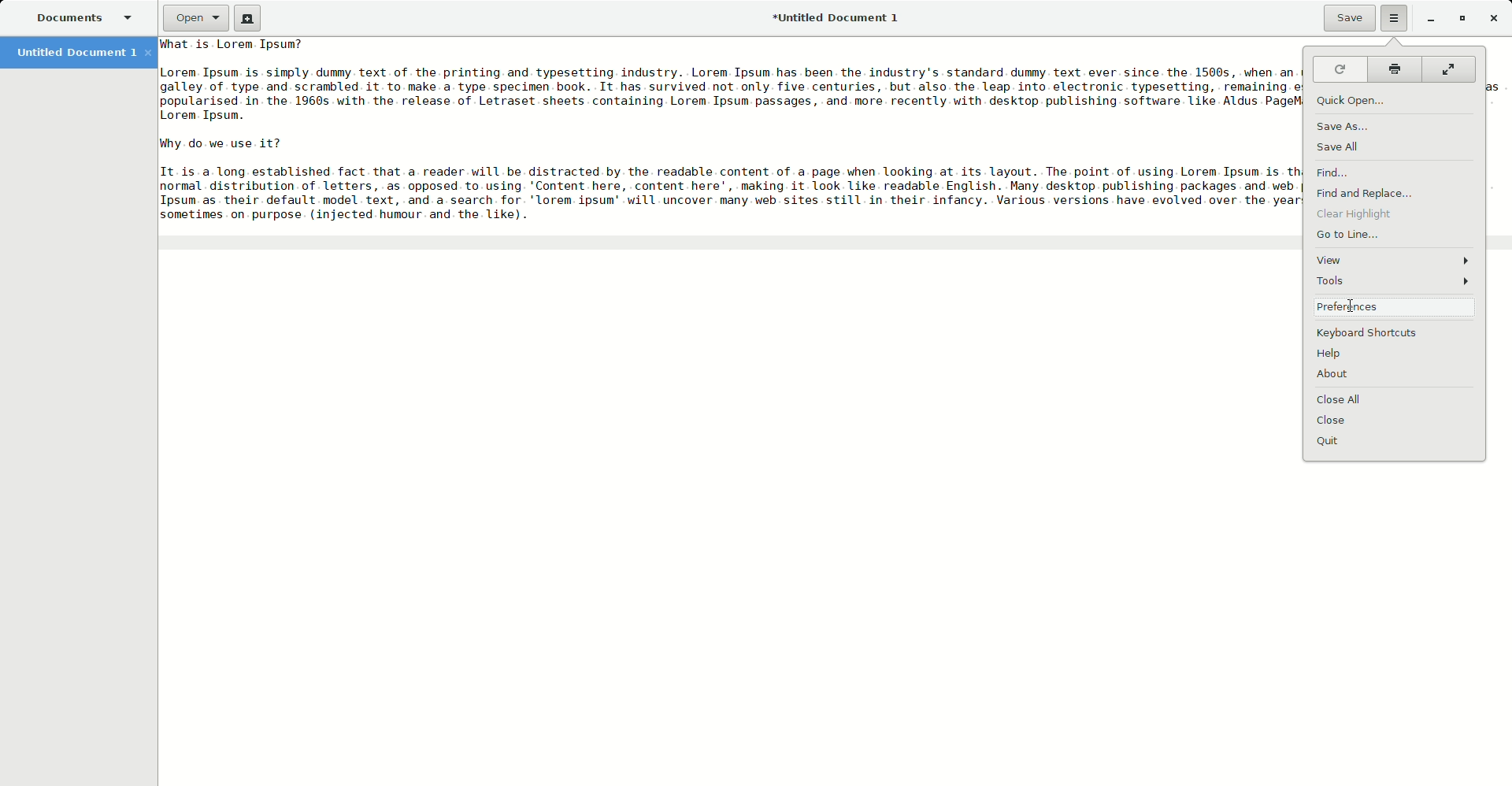 Image resolution: width=1512 pixels, height=786 pixels. What do you see at coordinates (1338, 421) in the screenshot?
I see `Close` at bounding box center [1338, 421].